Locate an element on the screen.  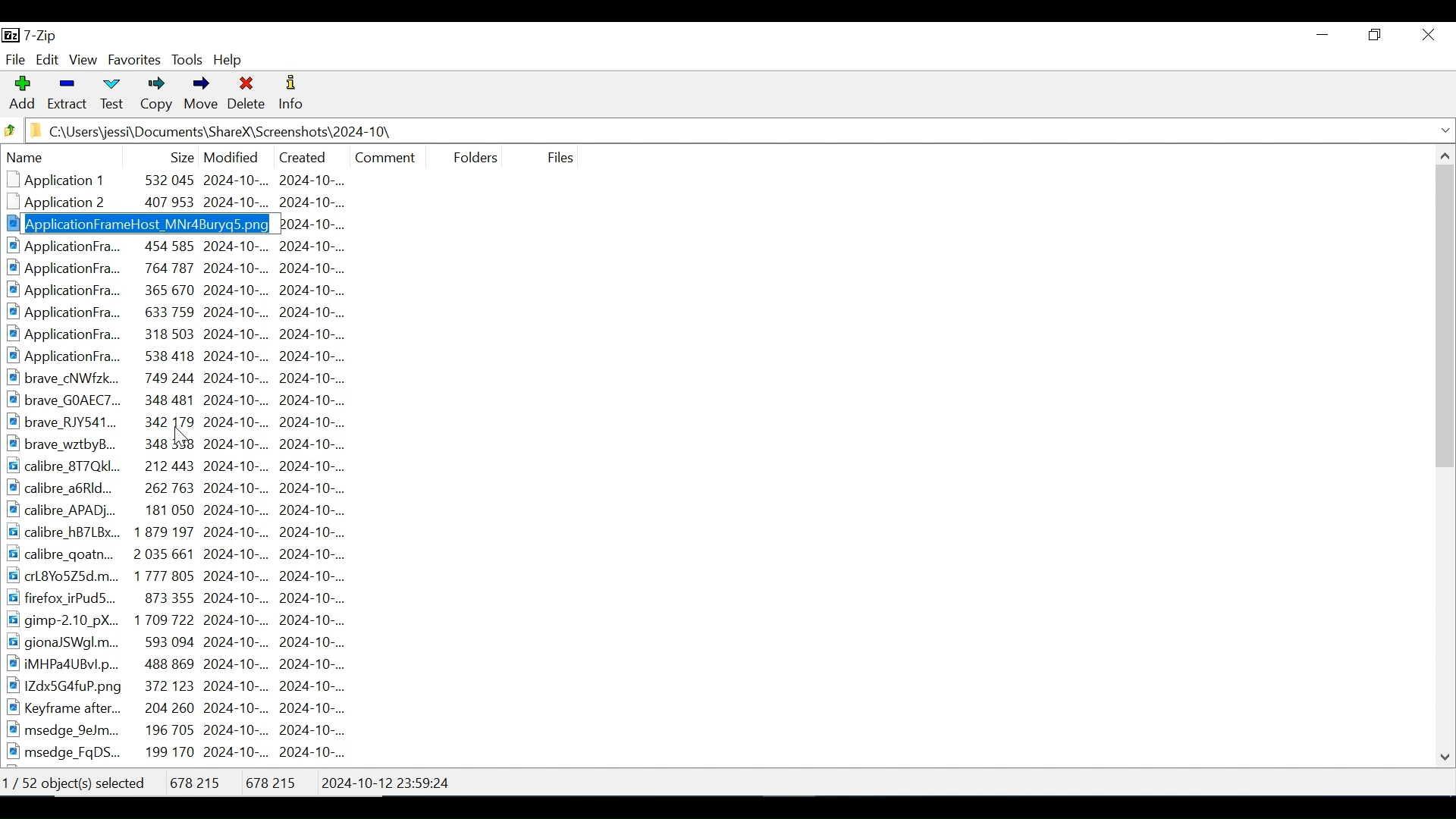
Delete is located at coordinates (247, 96).